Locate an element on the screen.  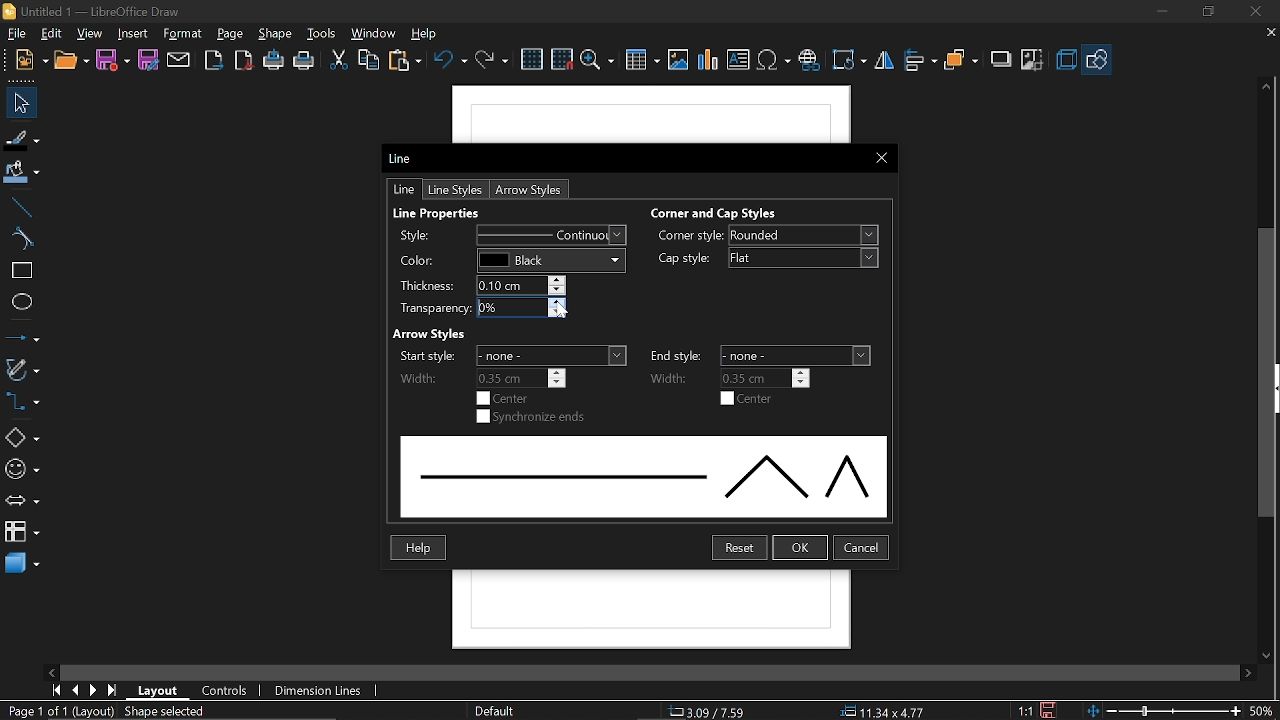
Synchronize ends is located at coordinates (531, 417).